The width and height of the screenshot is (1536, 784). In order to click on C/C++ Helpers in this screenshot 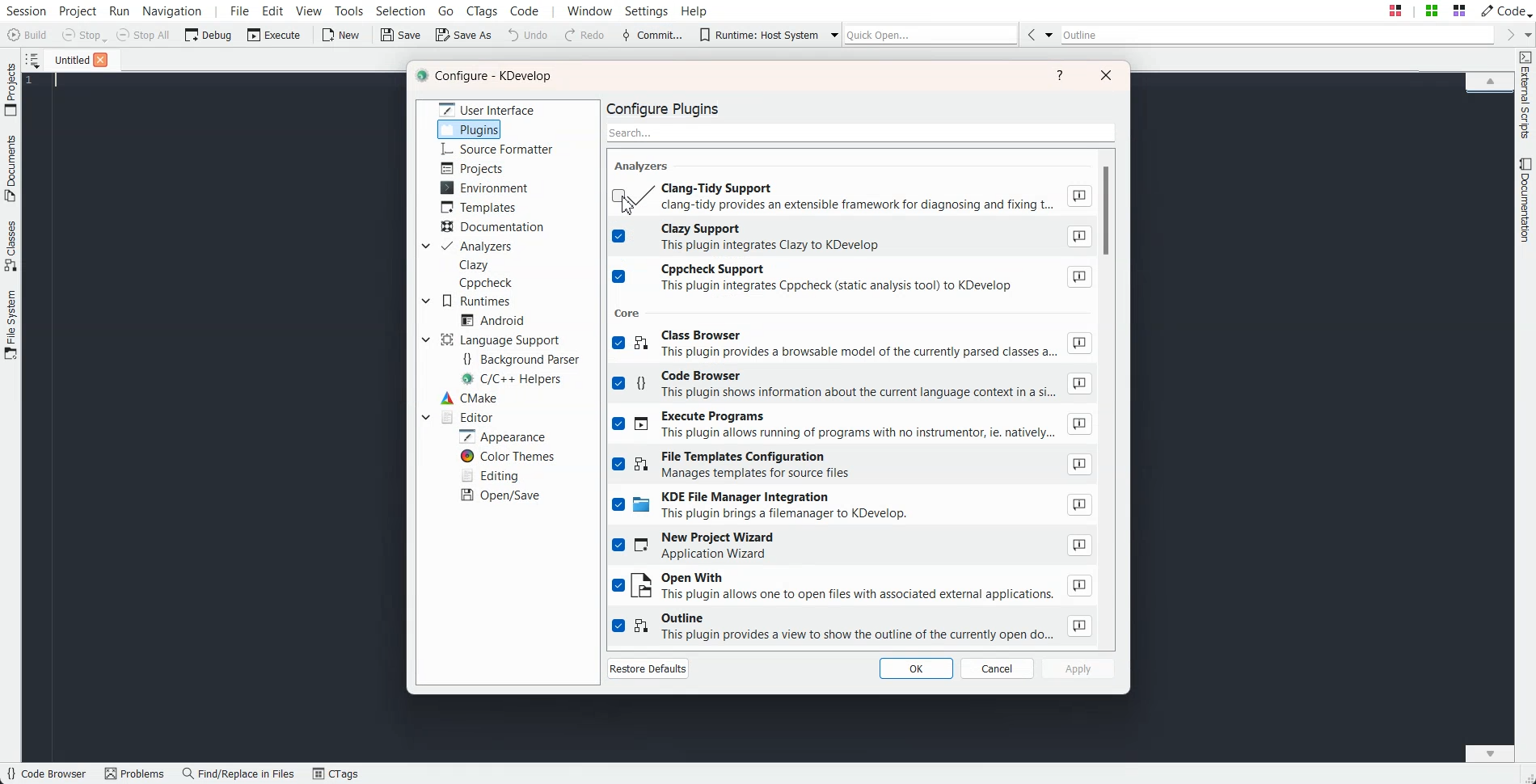, I will do `click(514, 379)`.